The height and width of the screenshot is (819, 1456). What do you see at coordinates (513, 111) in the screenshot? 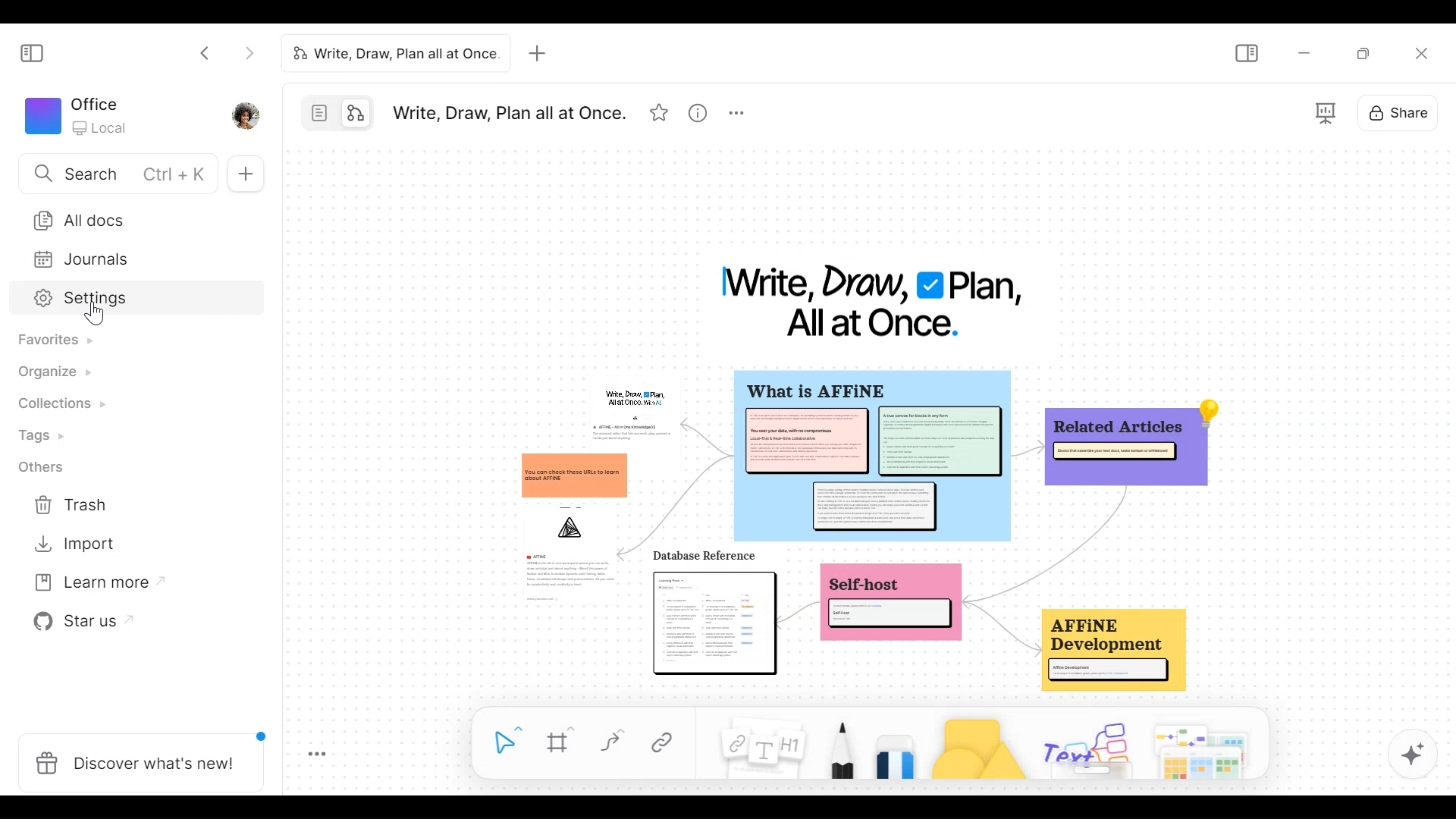
I see `Title of the project` at bounding box center [513, 111].